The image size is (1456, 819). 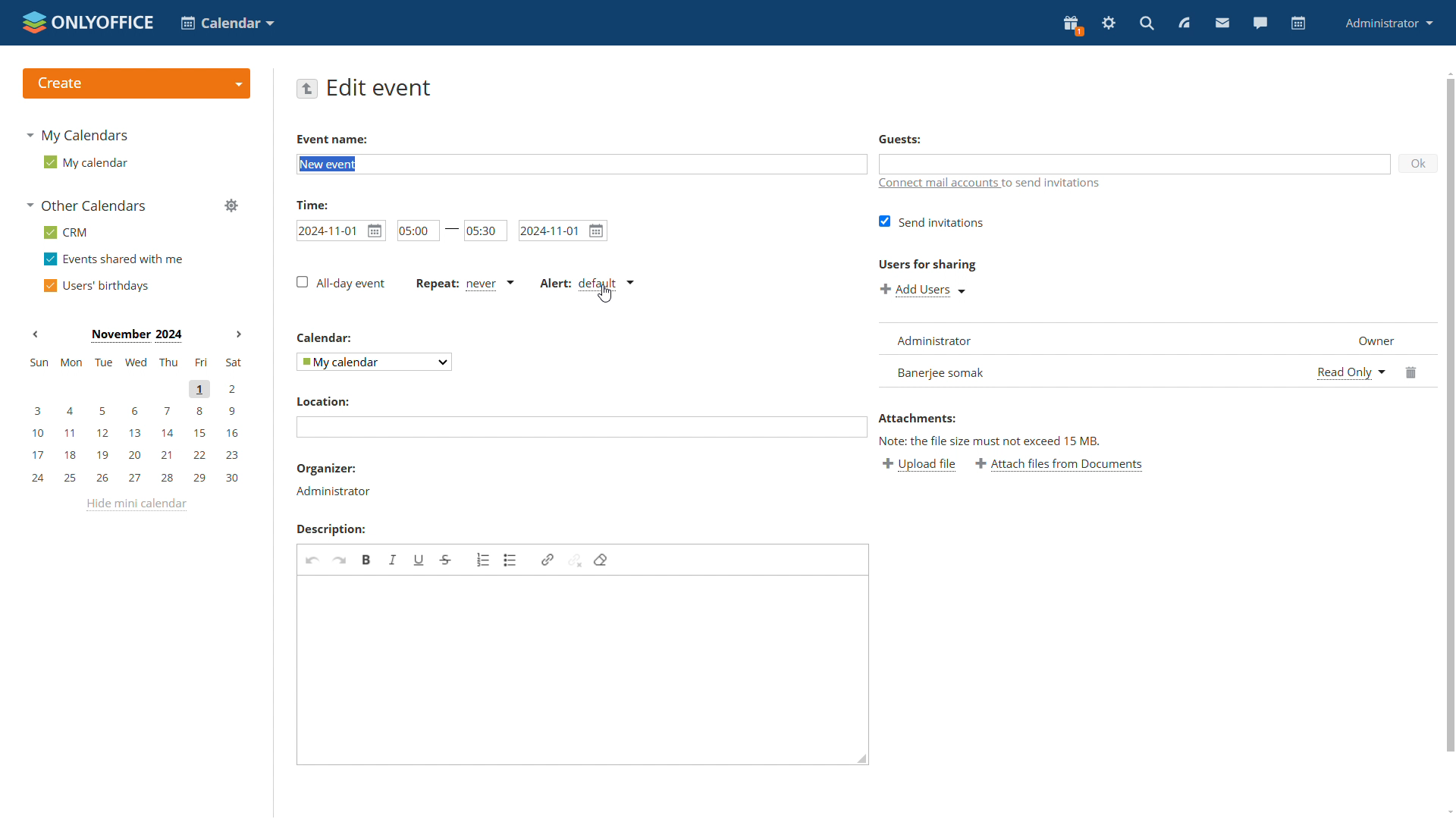 What do you see at coordinates (313, 204) in the screenshot?
I see `Time` at bounding box center [313, 204].